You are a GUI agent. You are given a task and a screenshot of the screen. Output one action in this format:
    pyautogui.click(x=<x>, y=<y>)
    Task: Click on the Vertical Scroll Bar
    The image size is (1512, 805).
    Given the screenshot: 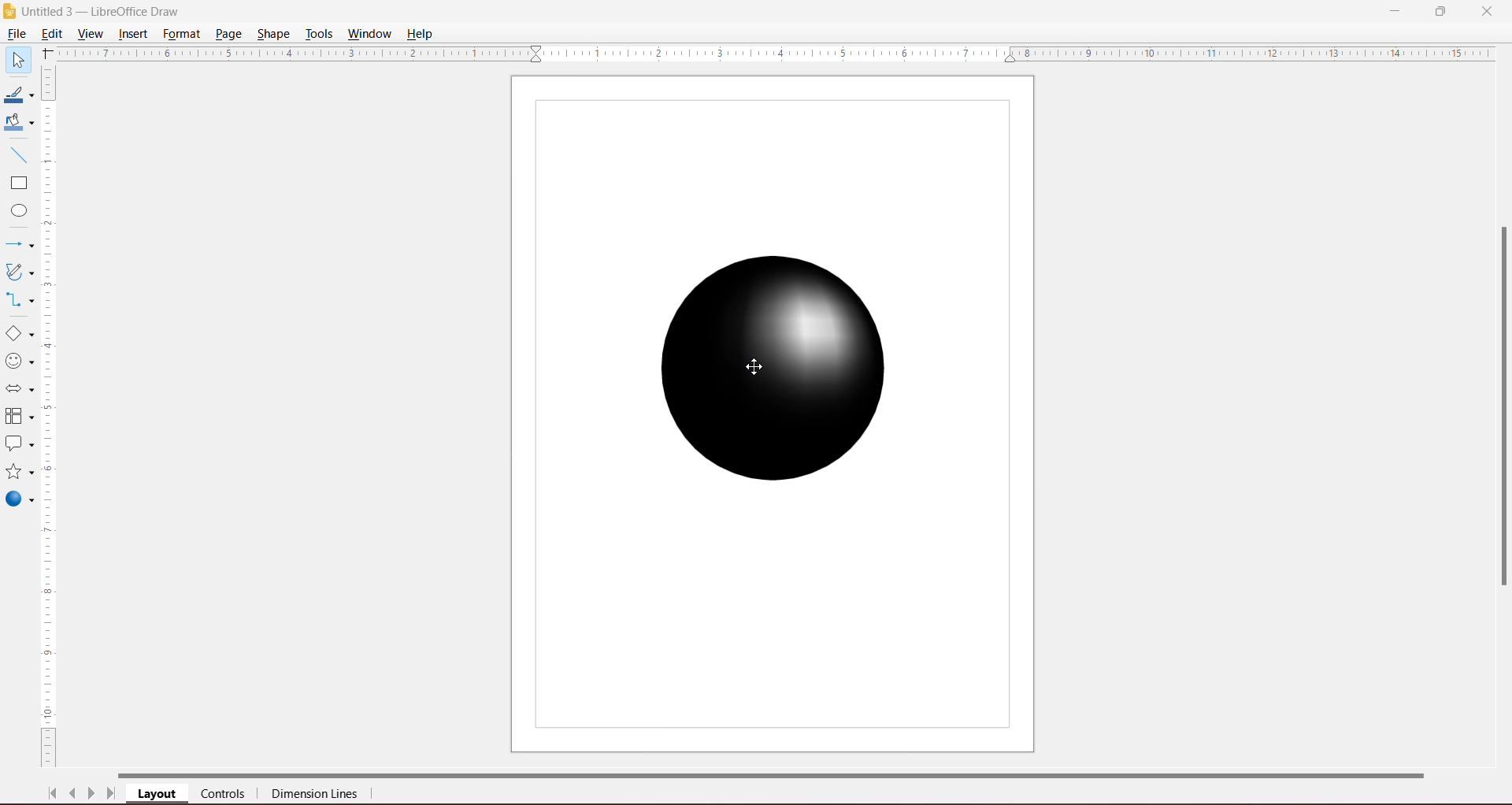 What is the action you would take?
    pyautogui.click(x=50, y=417)
    